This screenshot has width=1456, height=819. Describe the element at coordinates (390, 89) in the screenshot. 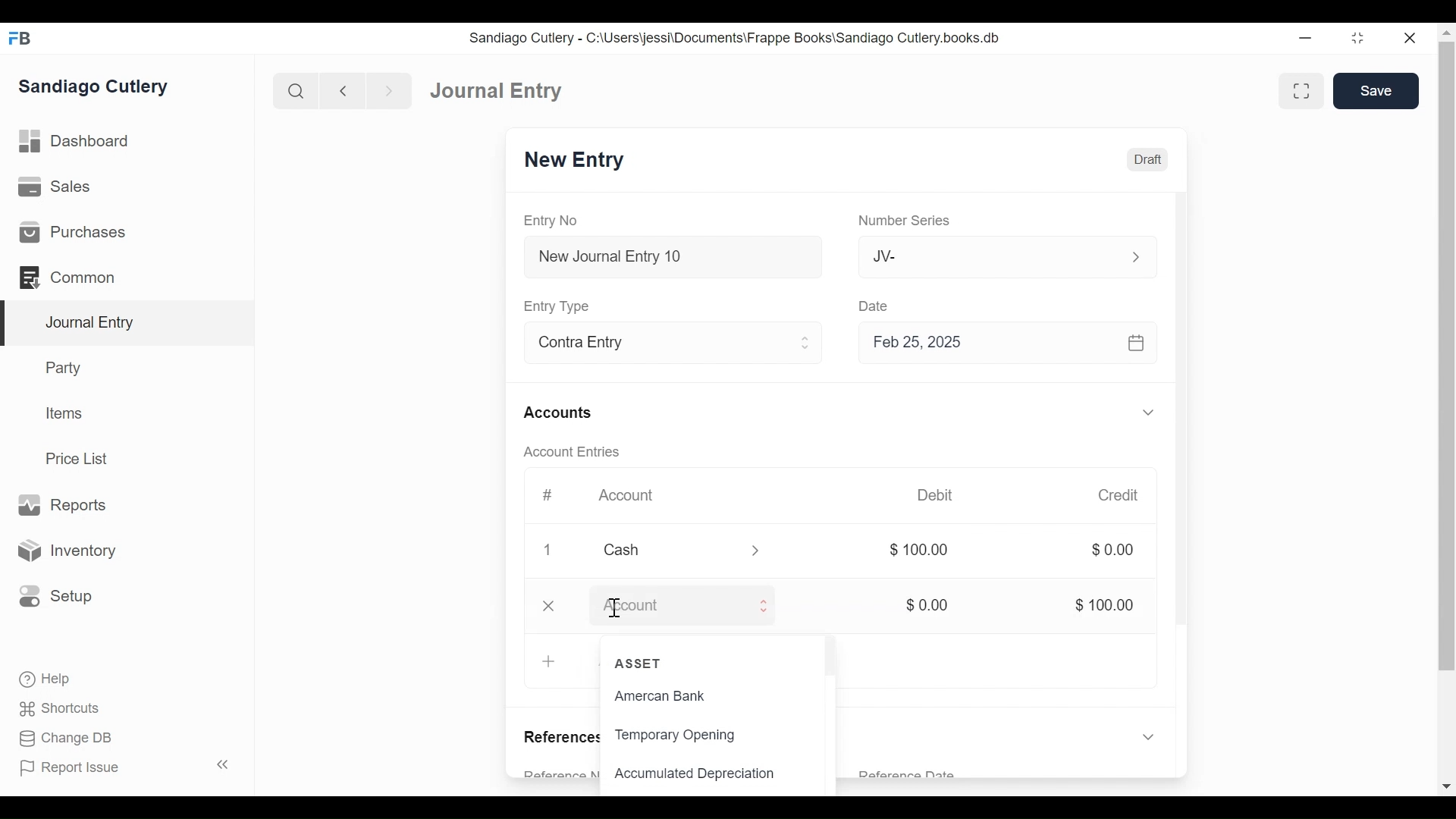

I see `Navigate Forward` at that location.